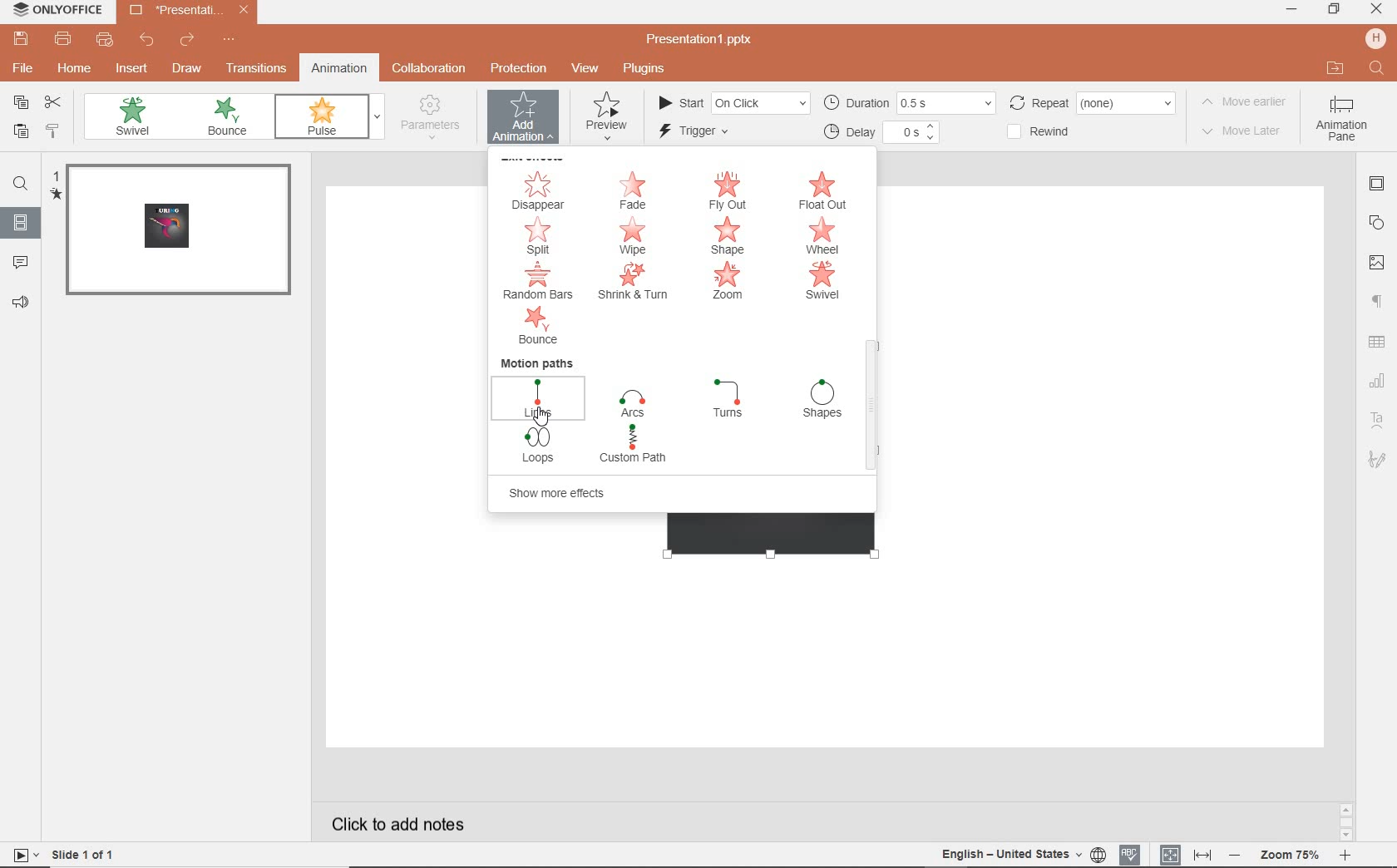 The height and width of the screenshot is (868, 1397). What do you see at coordinates (732, 101) in the screenshot?
I see `start` at bounding box center [732, 101].